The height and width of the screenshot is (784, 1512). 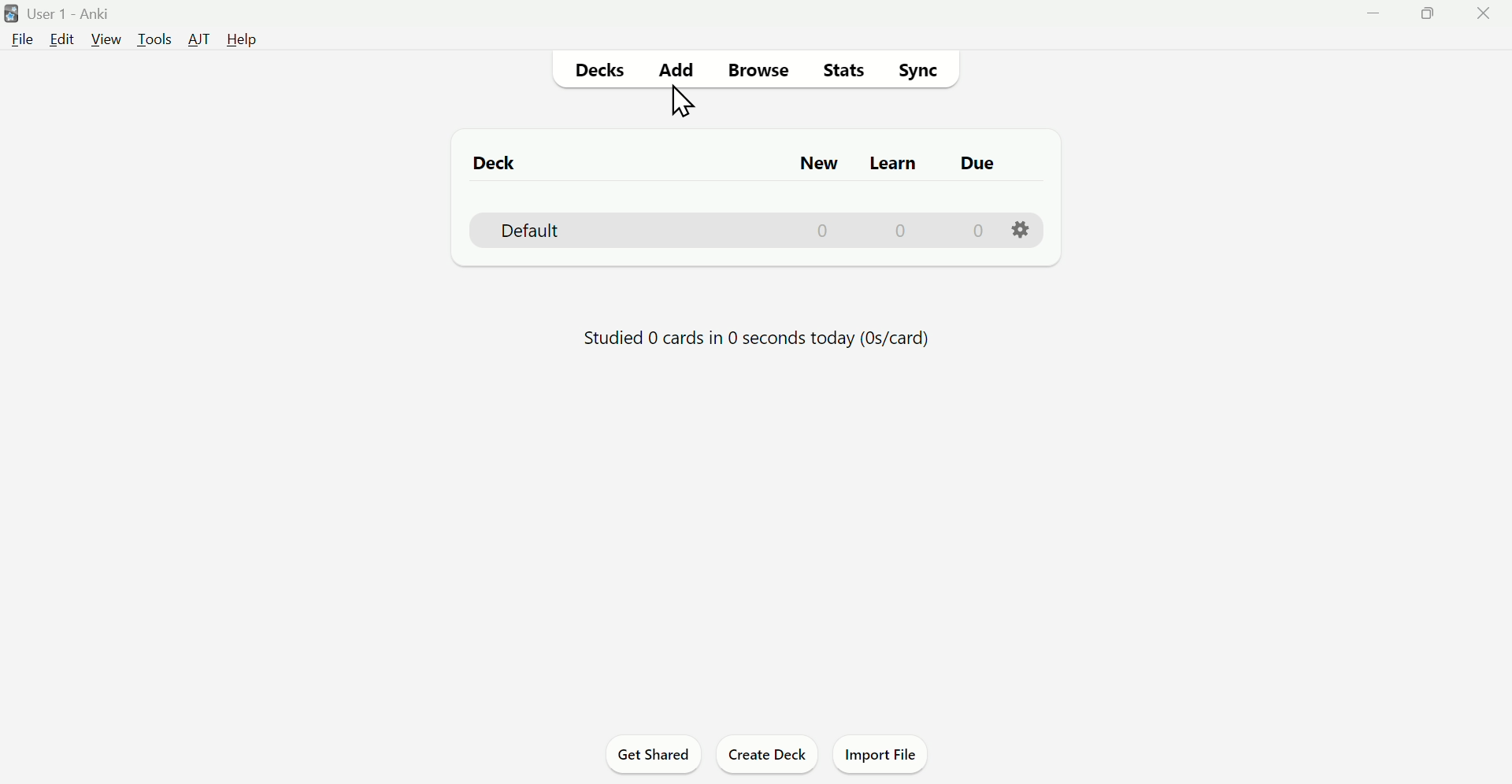 I want to click on Decks, so click(x=598, y=69).